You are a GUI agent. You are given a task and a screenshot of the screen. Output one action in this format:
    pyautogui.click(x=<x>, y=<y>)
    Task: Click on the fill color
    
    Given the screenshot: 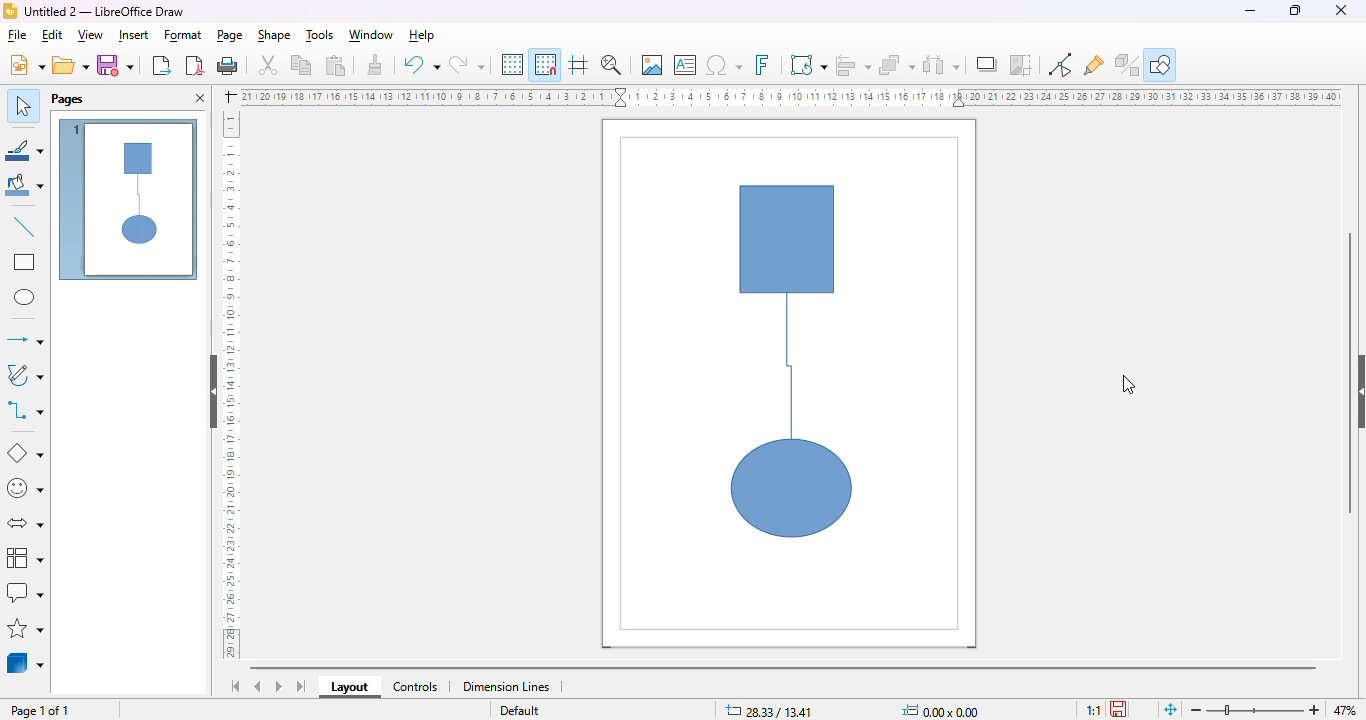 What is the action you would take?
    pyautogui.click(x=25, y=187)
    